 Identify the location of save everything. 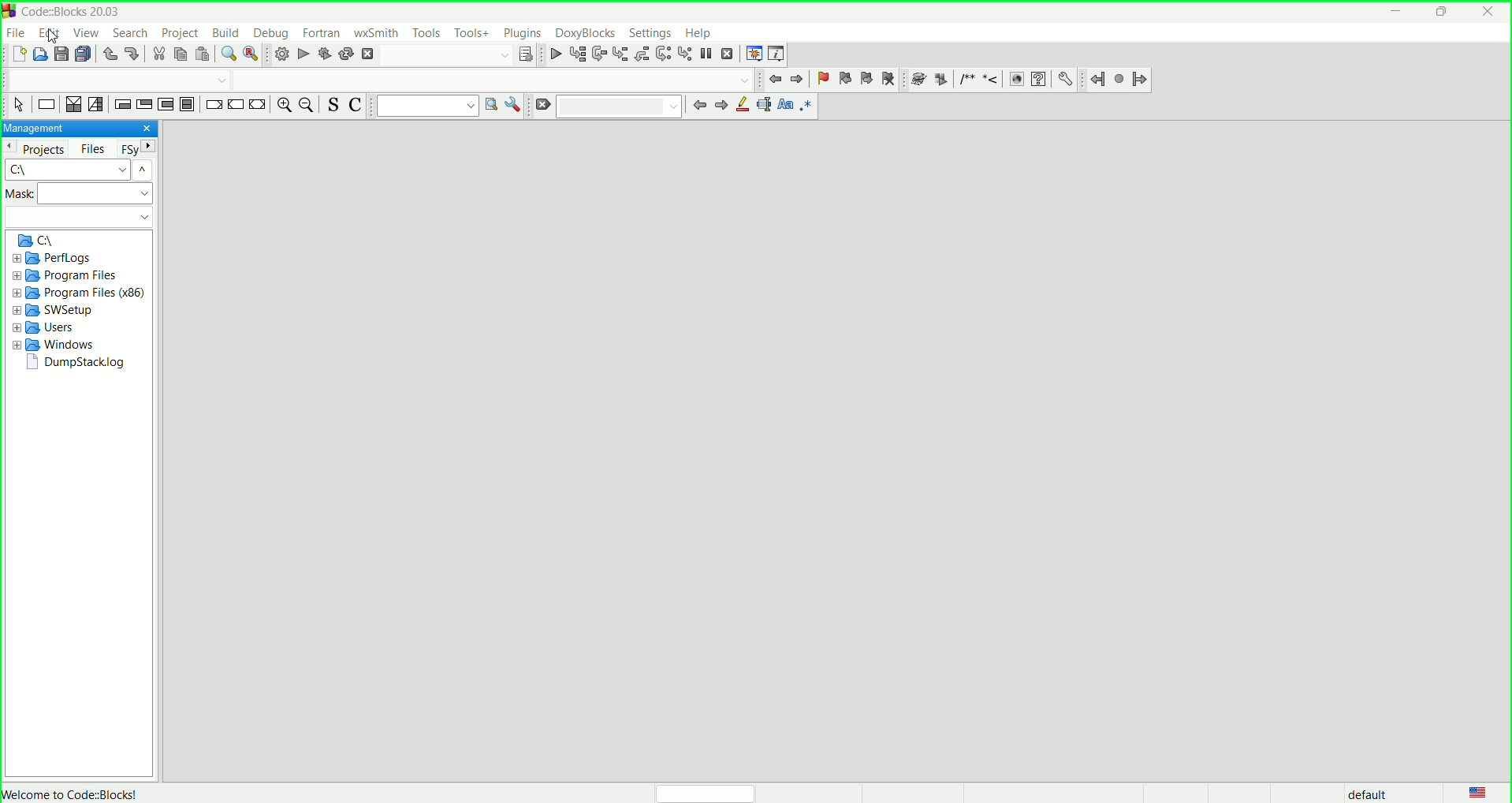
(87, 54).